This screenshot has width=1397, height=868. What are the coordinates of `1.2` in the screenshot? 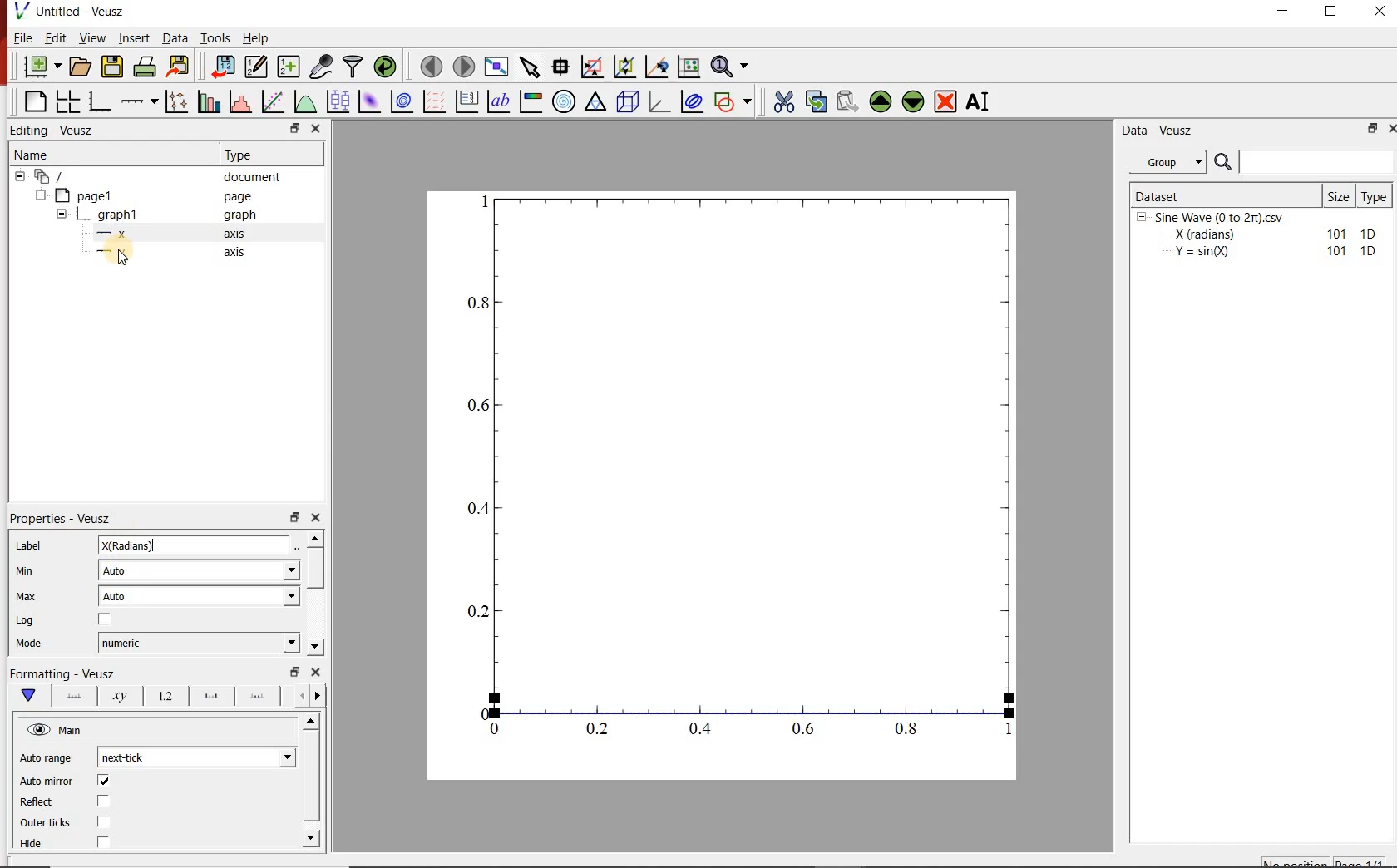 It's located at (163, 697).